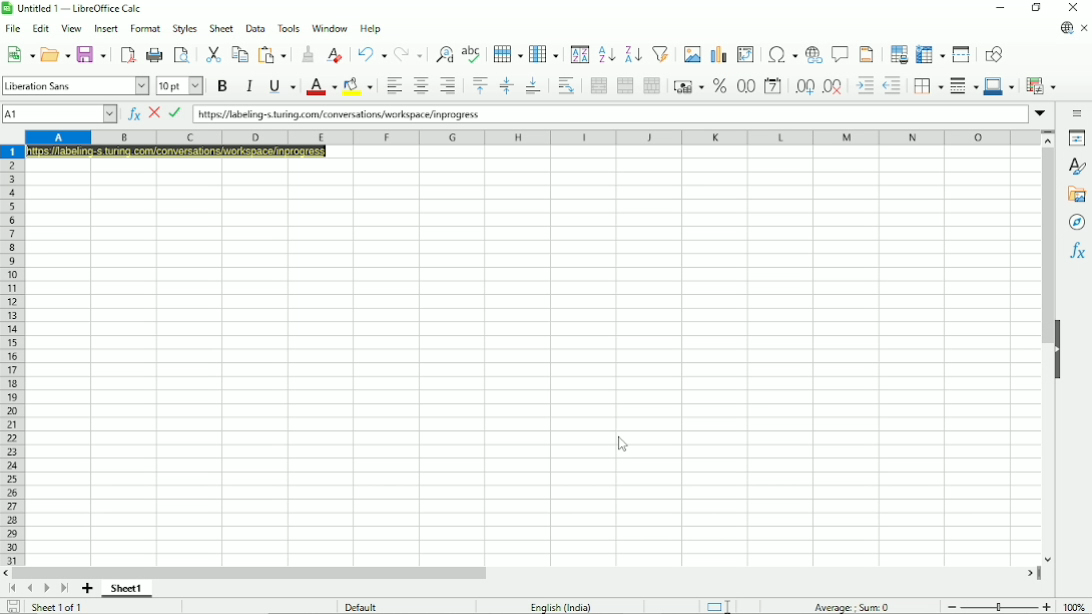 The width and height of the screenshot is (1092, 614). I want to click on Average, sum 0, so click(852, 606).